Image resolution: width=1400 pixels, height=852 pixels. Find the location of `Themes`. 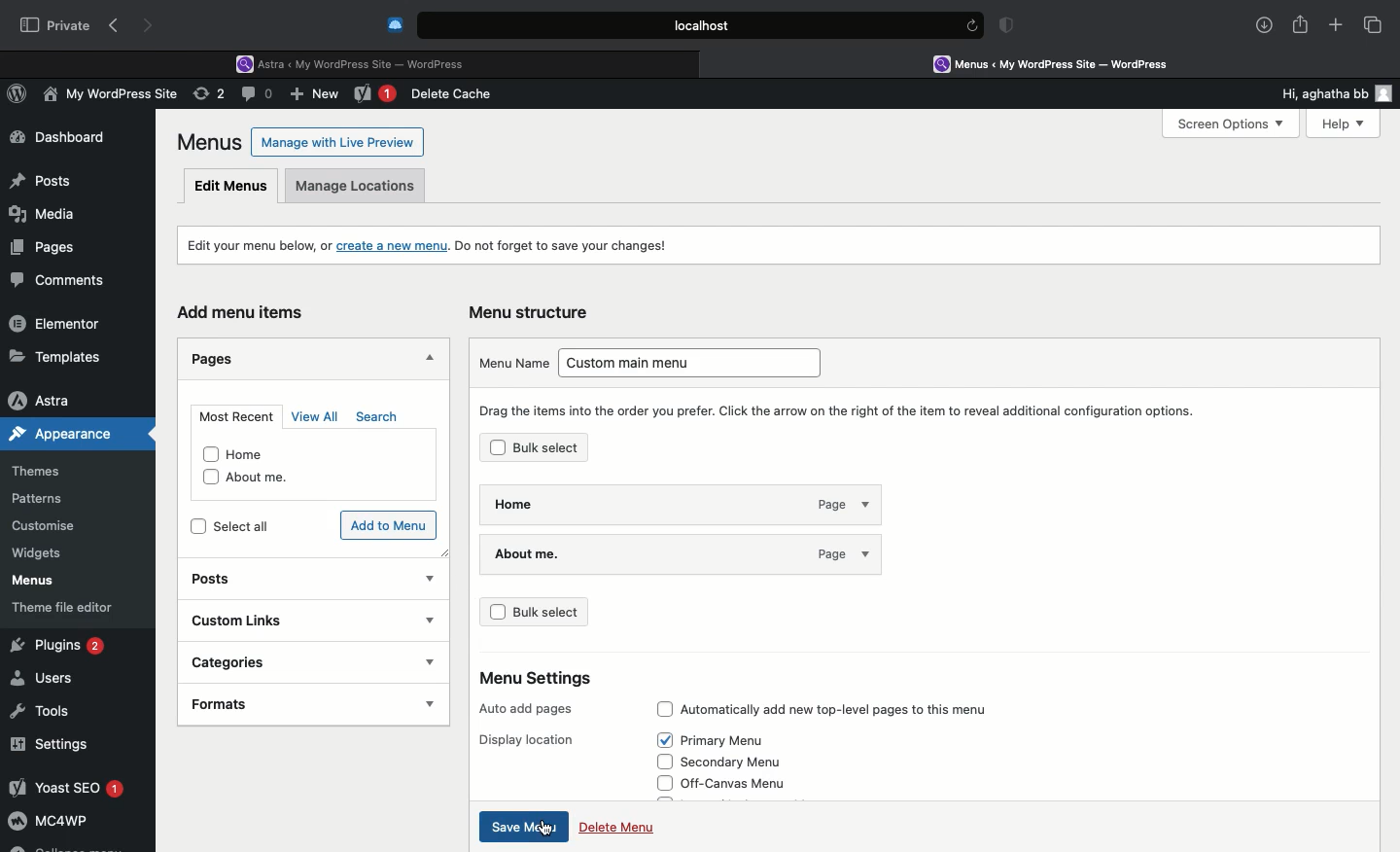

Themes is located at coordinates (50, 472).